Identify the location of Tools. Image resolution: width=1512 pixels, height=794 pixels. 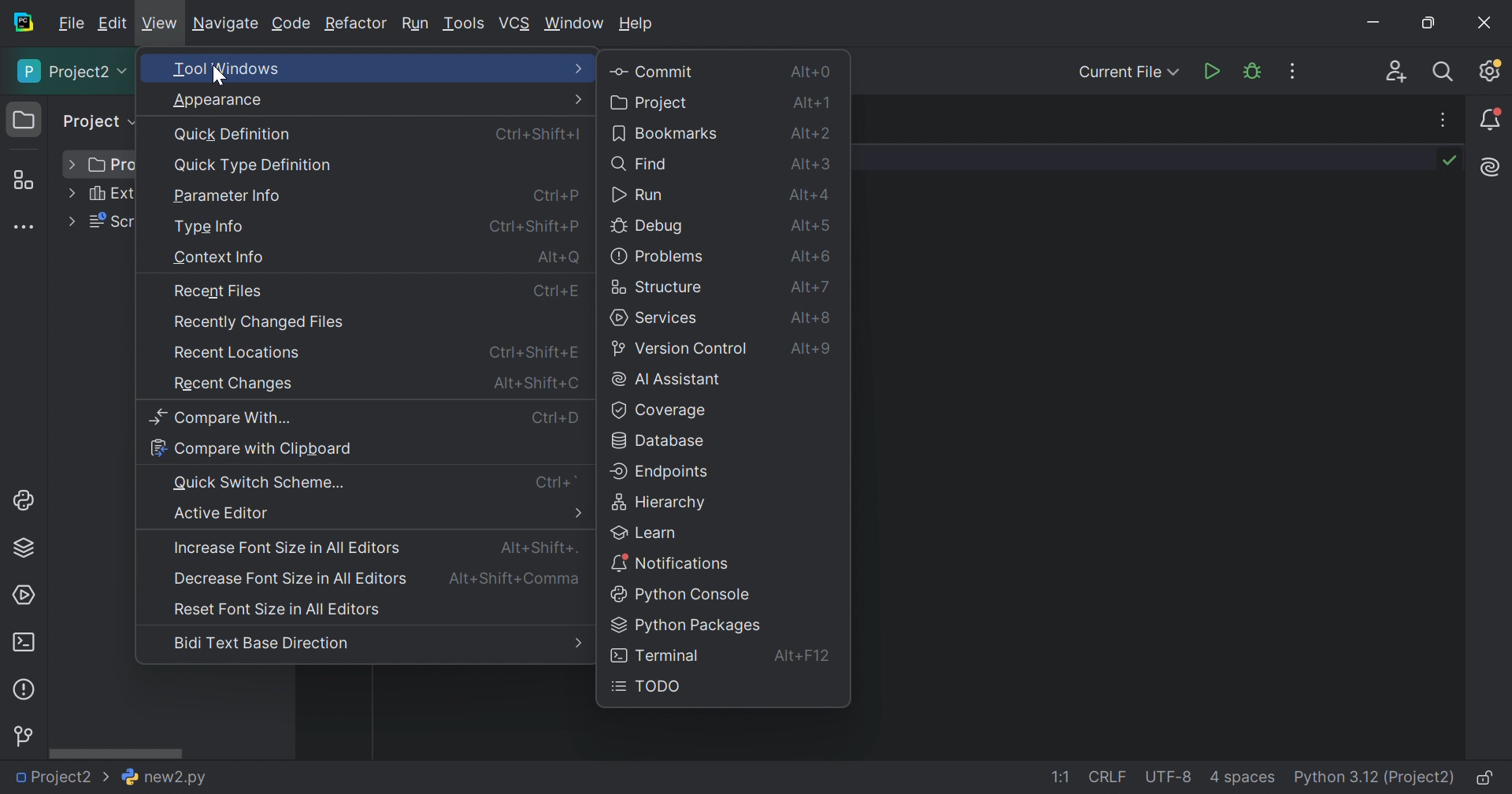
(464, 25).